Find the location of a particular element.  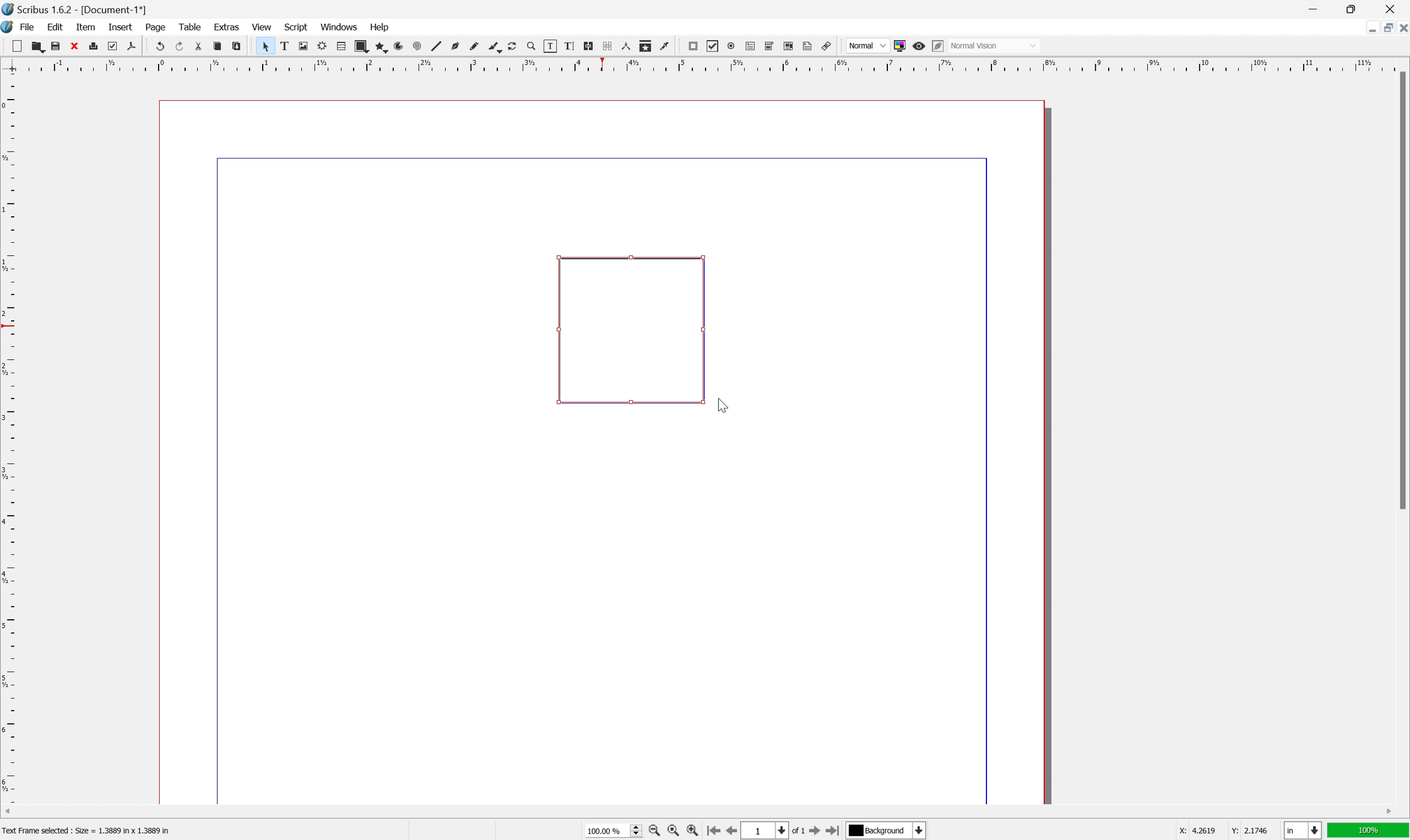

unlink text frames is located at coordinates (608, 46).